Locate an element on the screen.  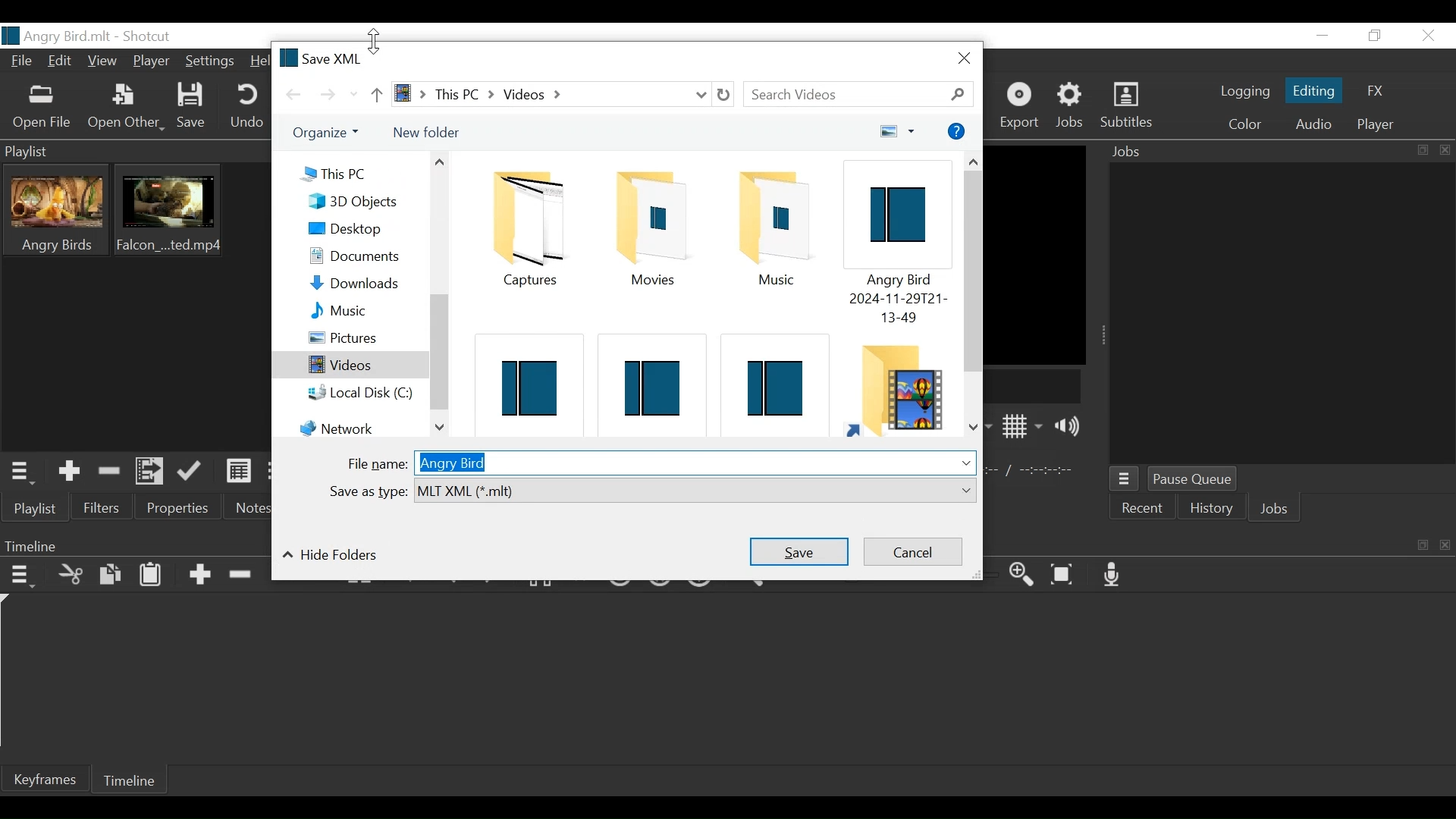
File name is located at coordinates (378, 465).